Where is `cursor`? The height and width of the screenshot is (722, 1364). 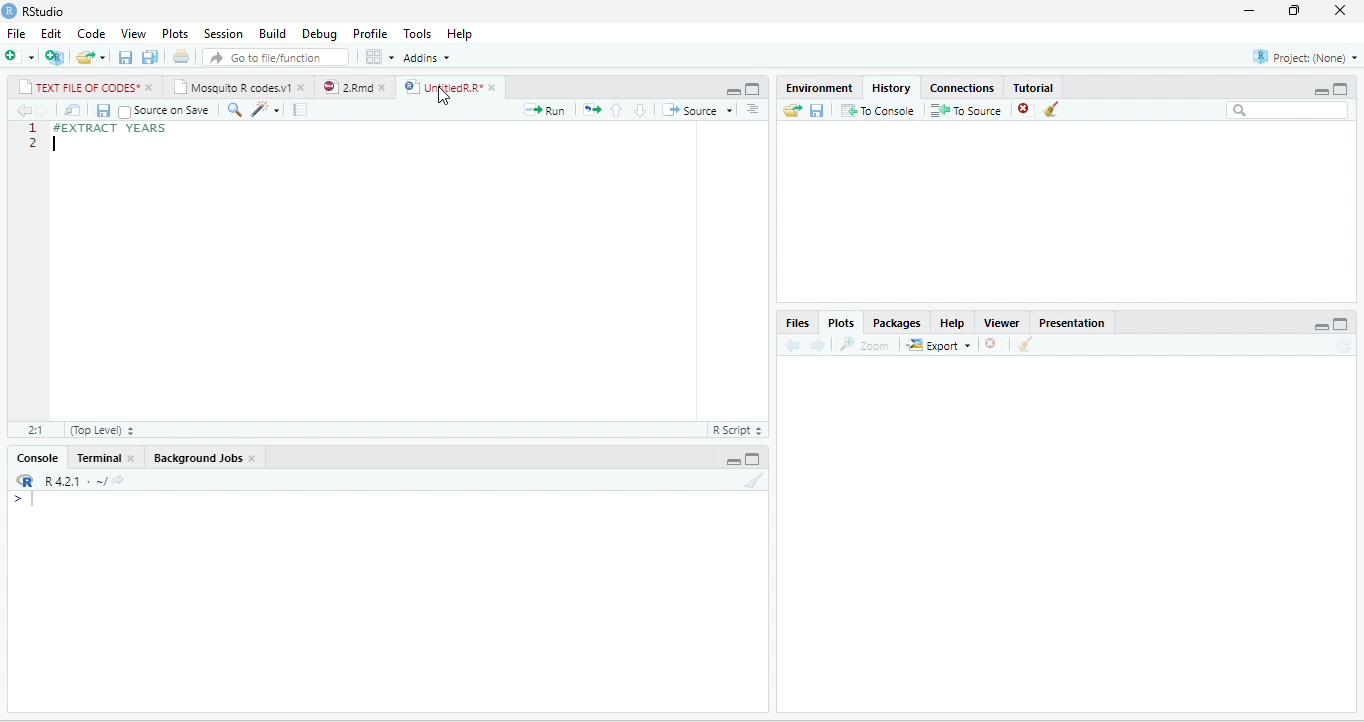
cursor is located at coordinates (444, 96).